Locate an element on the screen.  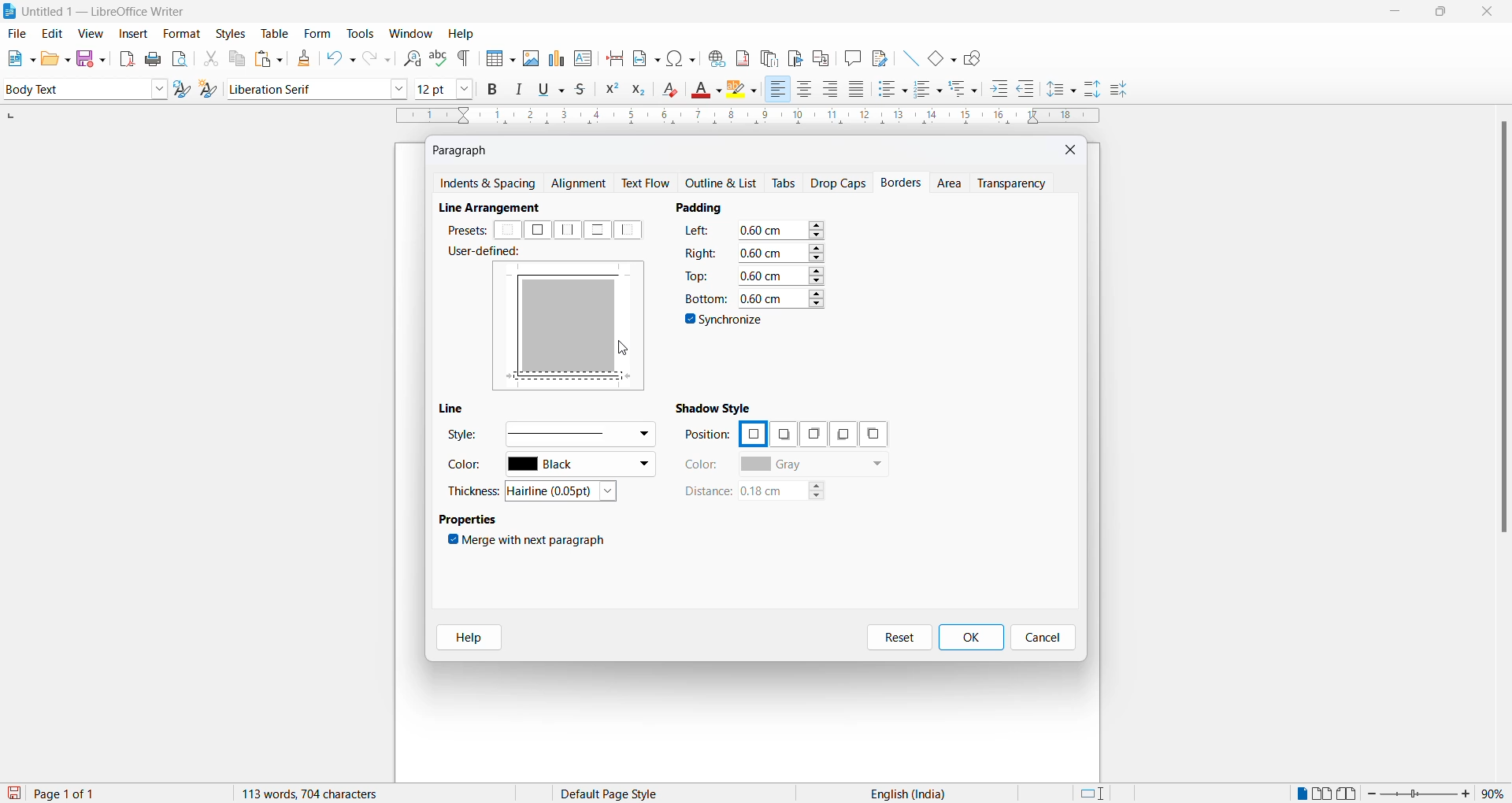
top is located at coordinates (699, 275).